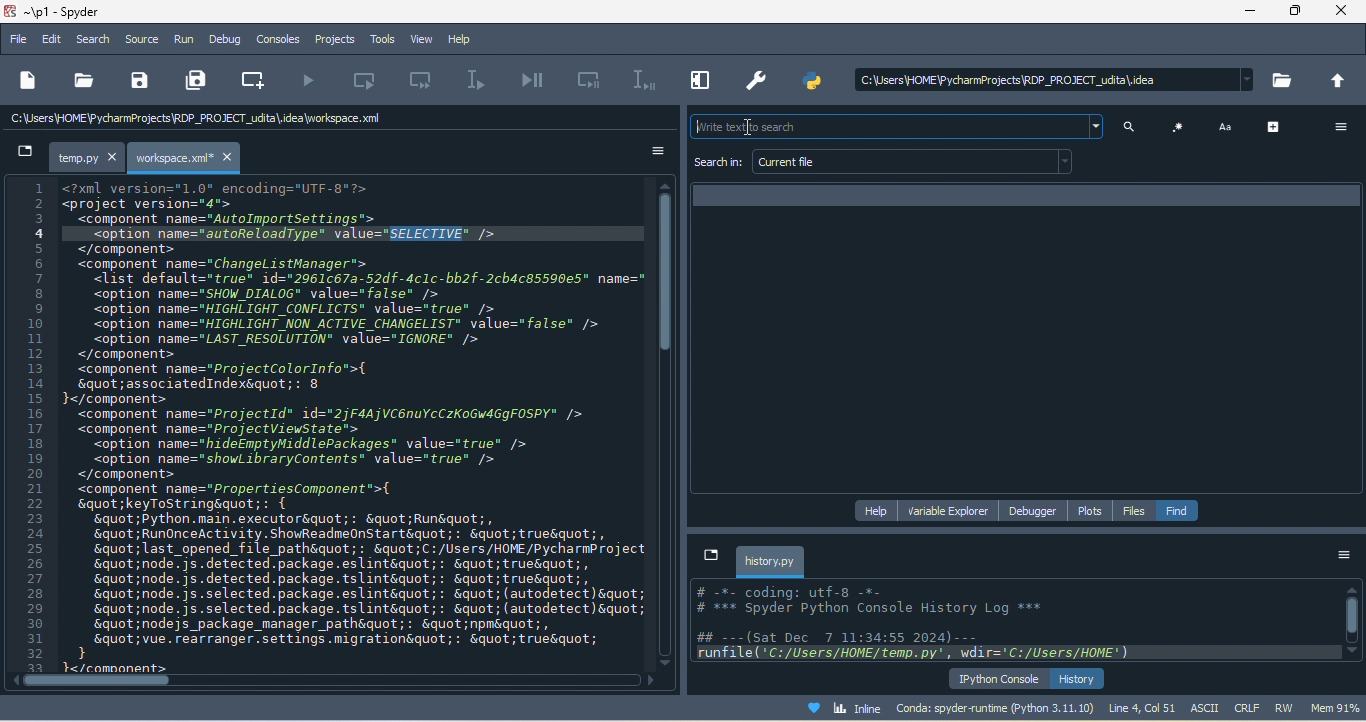 The image size is (1366, 722). Describe the element at coordinates (88, 158) in the screenshot. I see `temp.py tab` at that location.